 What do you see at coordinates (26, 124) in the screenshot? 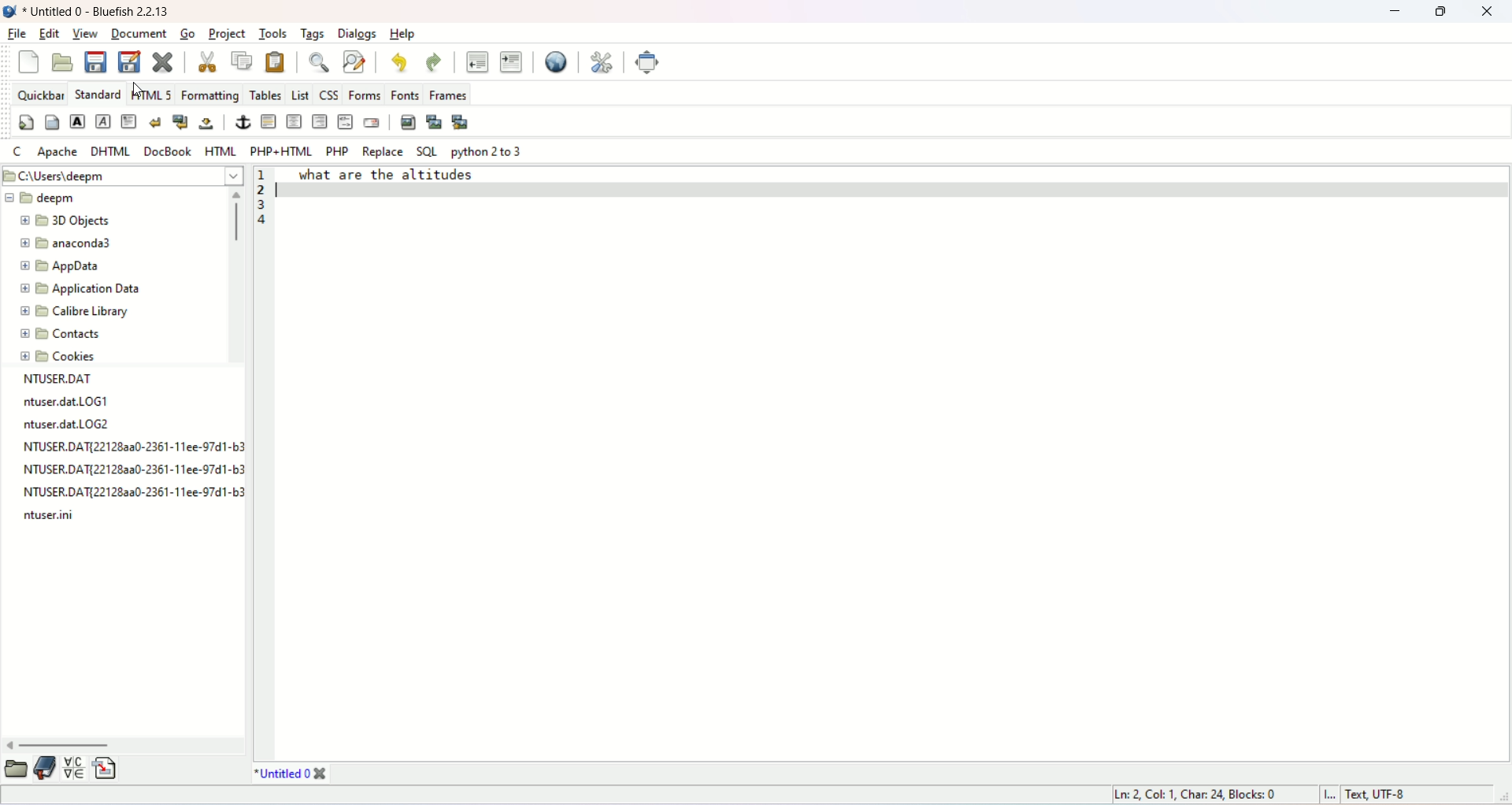
I see `quickstart` at bounding box center [26, 124].